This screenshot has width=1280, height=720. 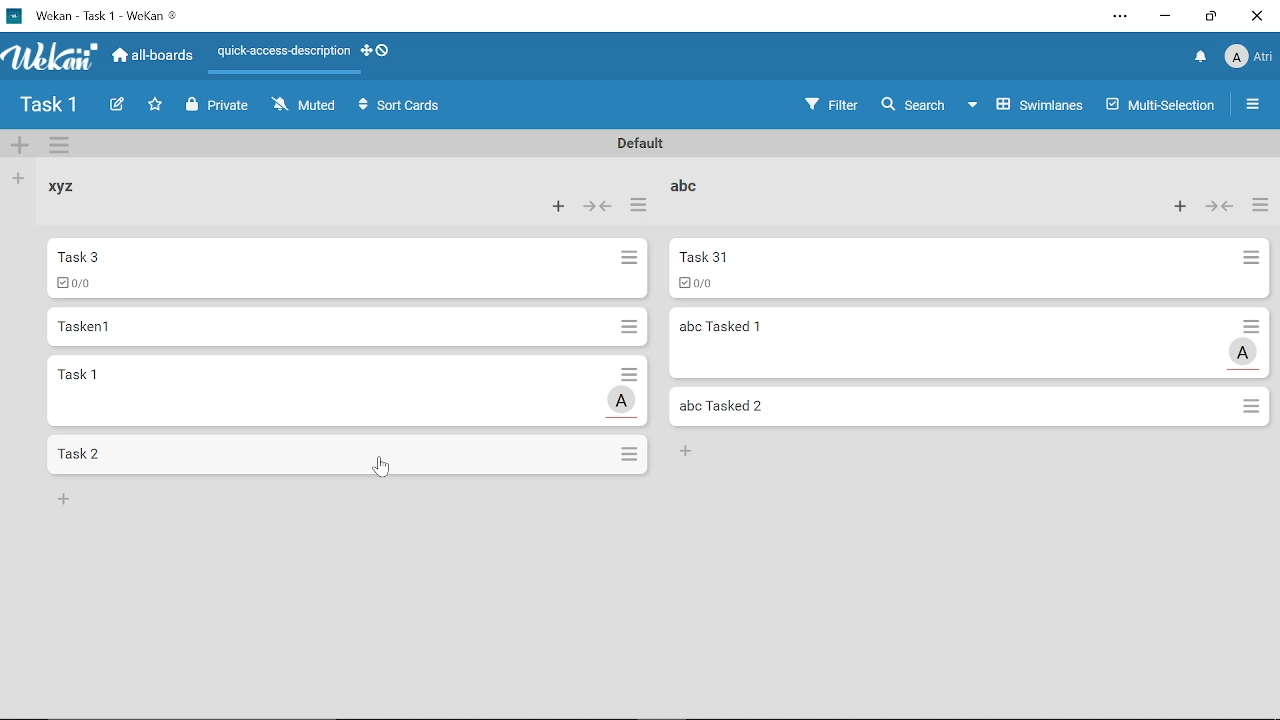 What do you see at coordinates (218, 106) in the screenshot?
I see `Private` at bounding box center [218, 106].